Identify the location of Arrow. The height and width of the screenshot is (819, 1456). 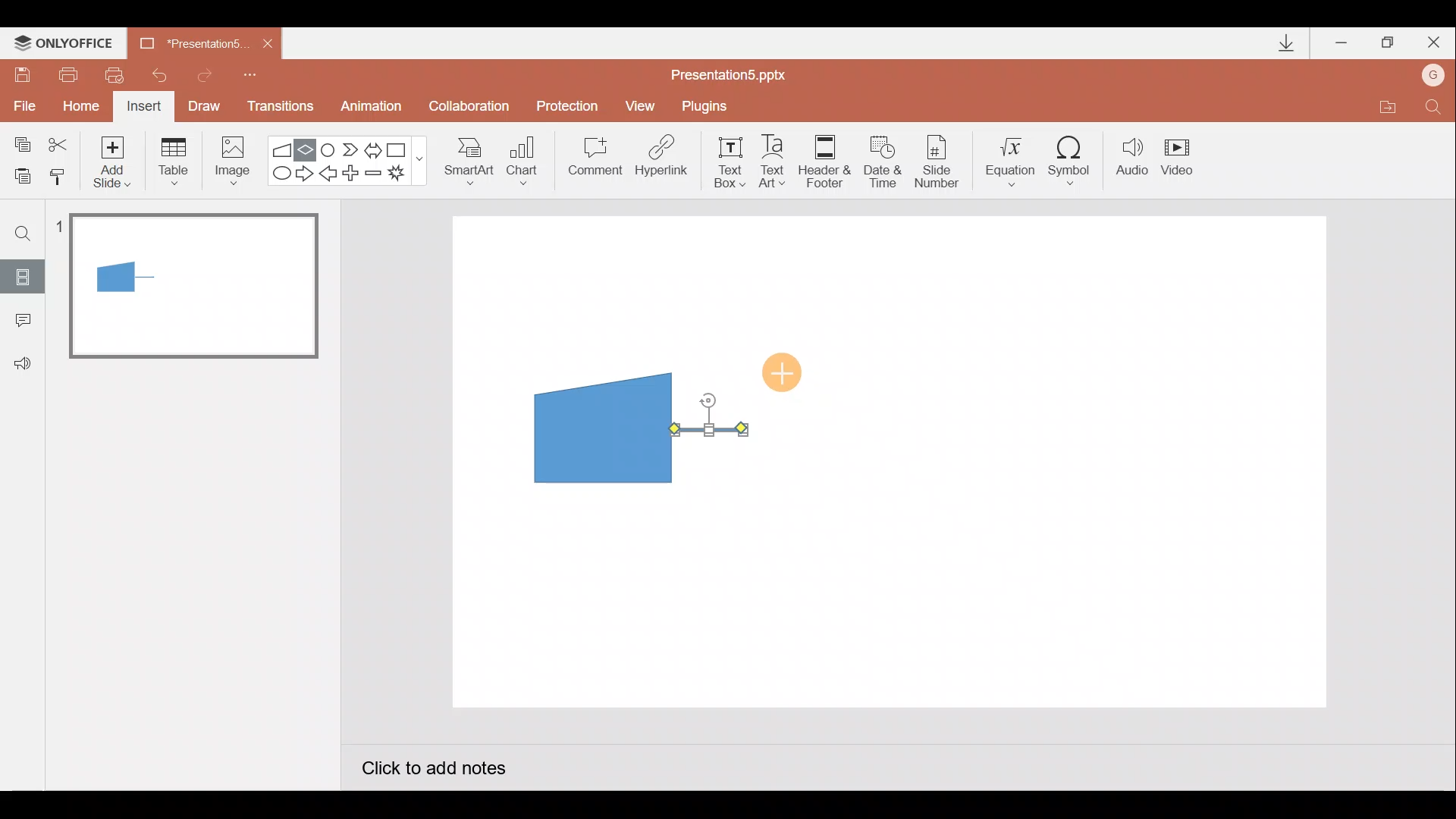
(709, 429).